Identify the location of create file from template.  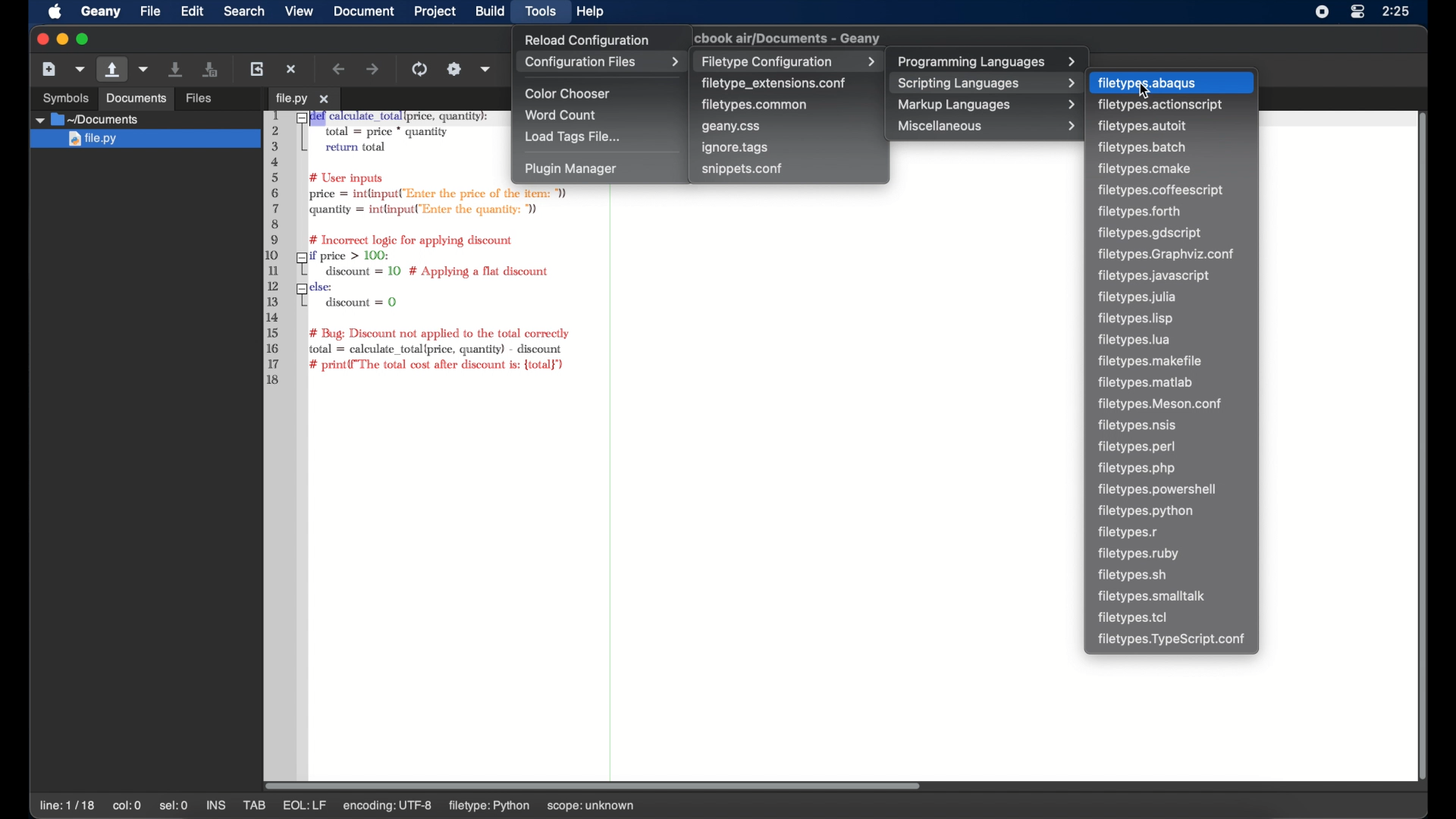
(81, 69).